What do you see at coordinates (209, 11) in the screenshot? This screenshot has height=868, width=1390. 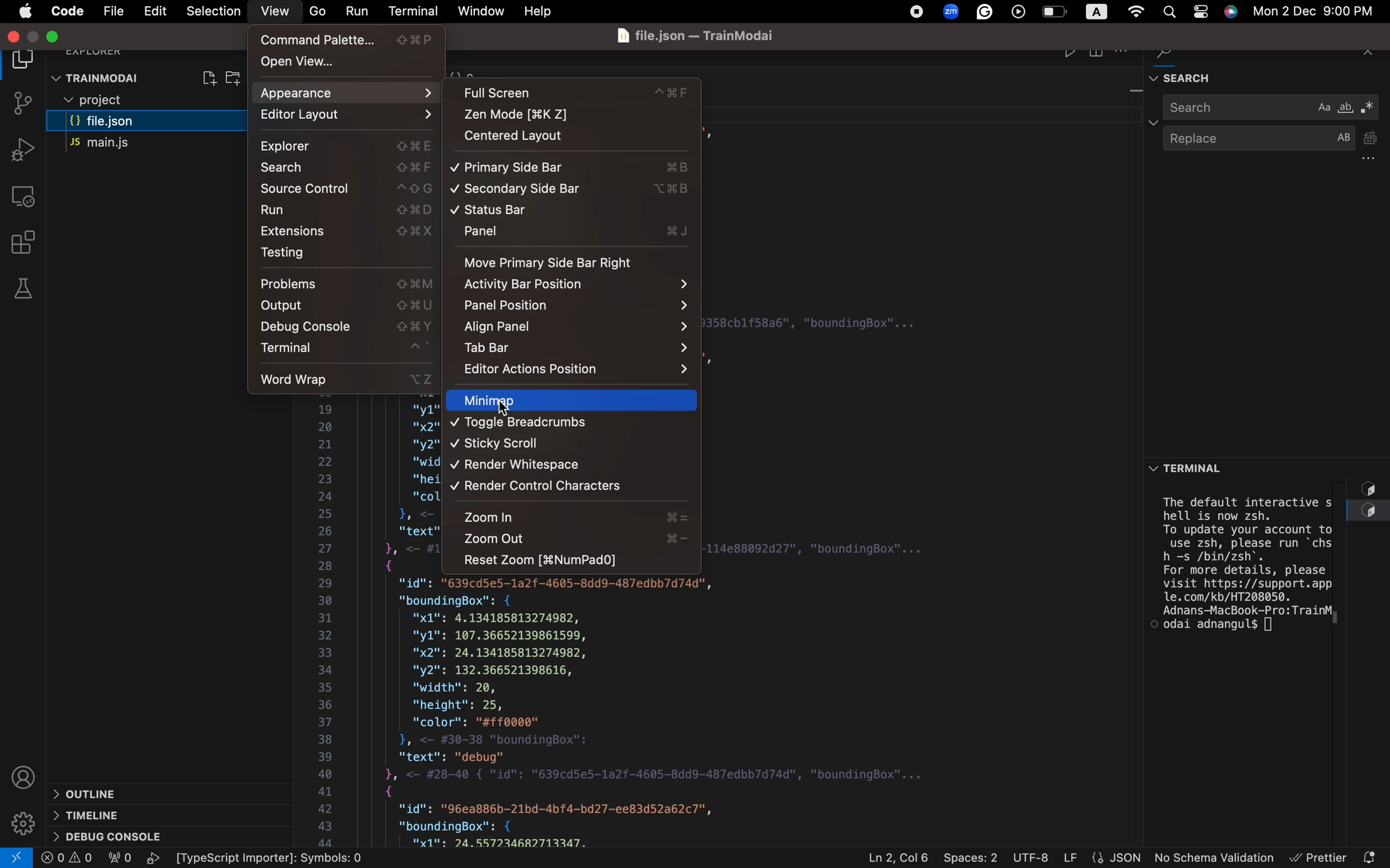 I see `selection` at bounding box center [209, 11].